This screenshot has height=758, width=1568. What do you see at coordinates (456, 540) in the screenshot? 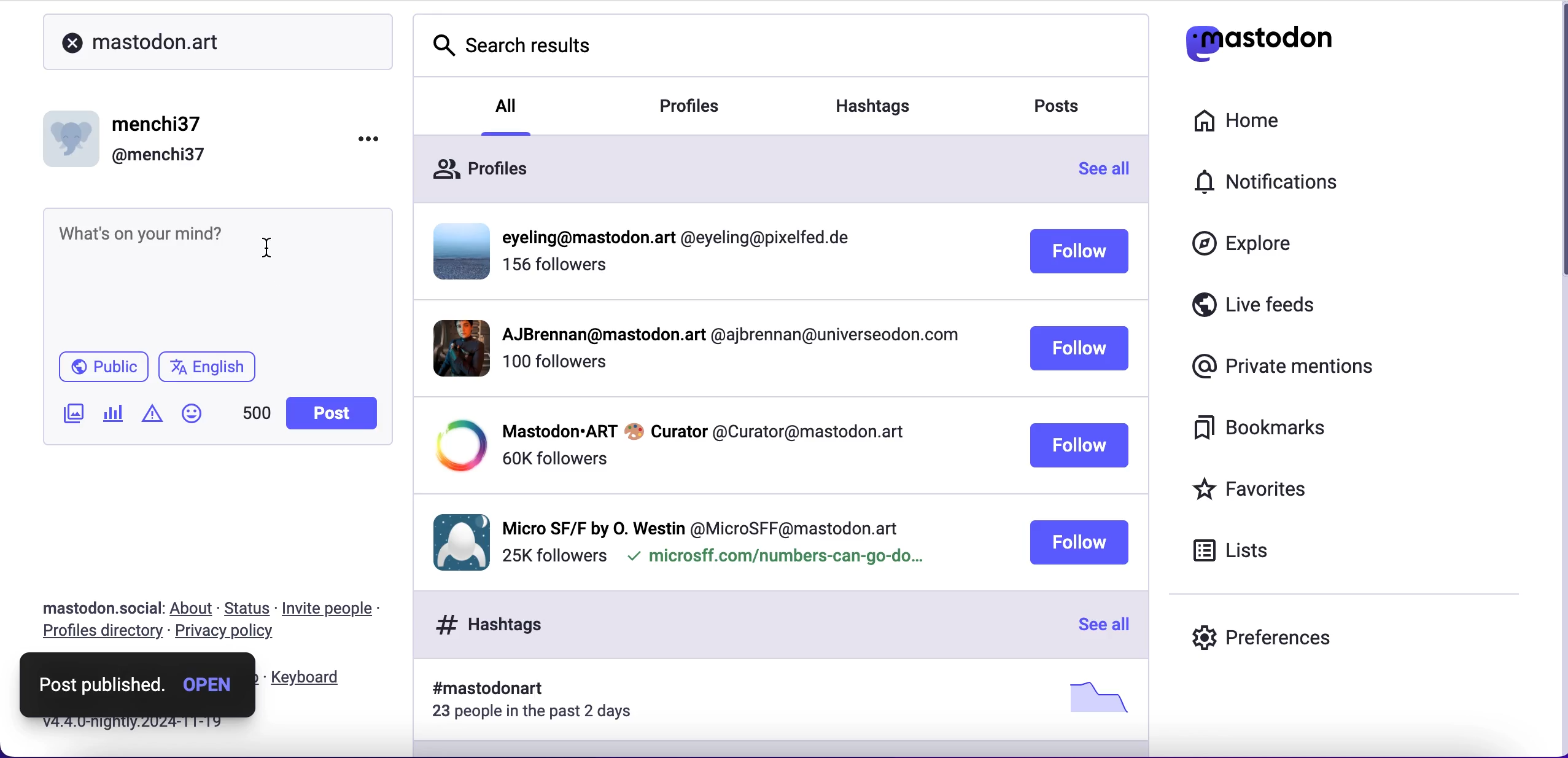
I see `display picture` at bounding box center [456, 540].